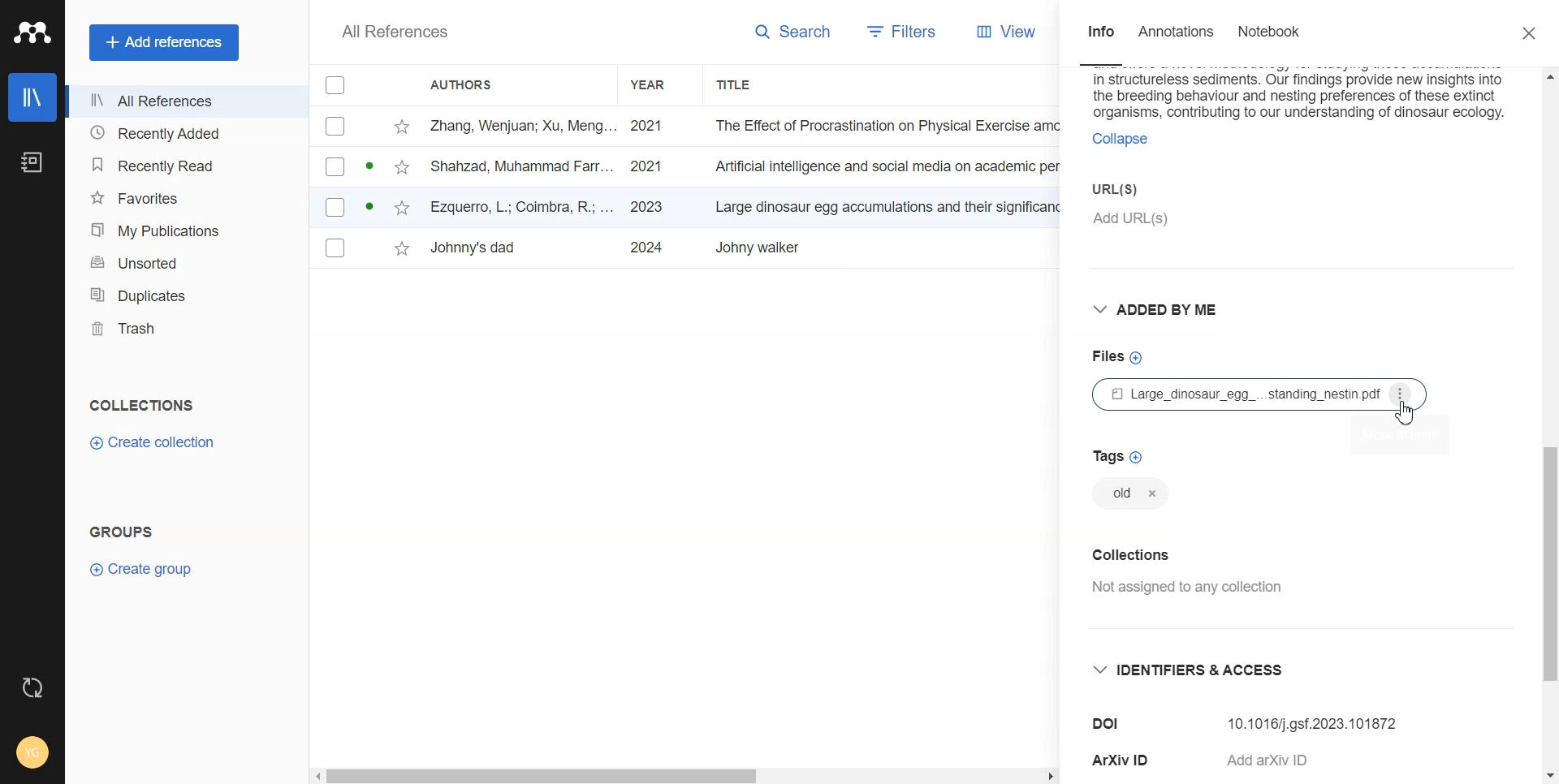 Image resolution: width=1559 pixels, height=784 pixels. I want to click on ArXiv, so click(1123, 760).